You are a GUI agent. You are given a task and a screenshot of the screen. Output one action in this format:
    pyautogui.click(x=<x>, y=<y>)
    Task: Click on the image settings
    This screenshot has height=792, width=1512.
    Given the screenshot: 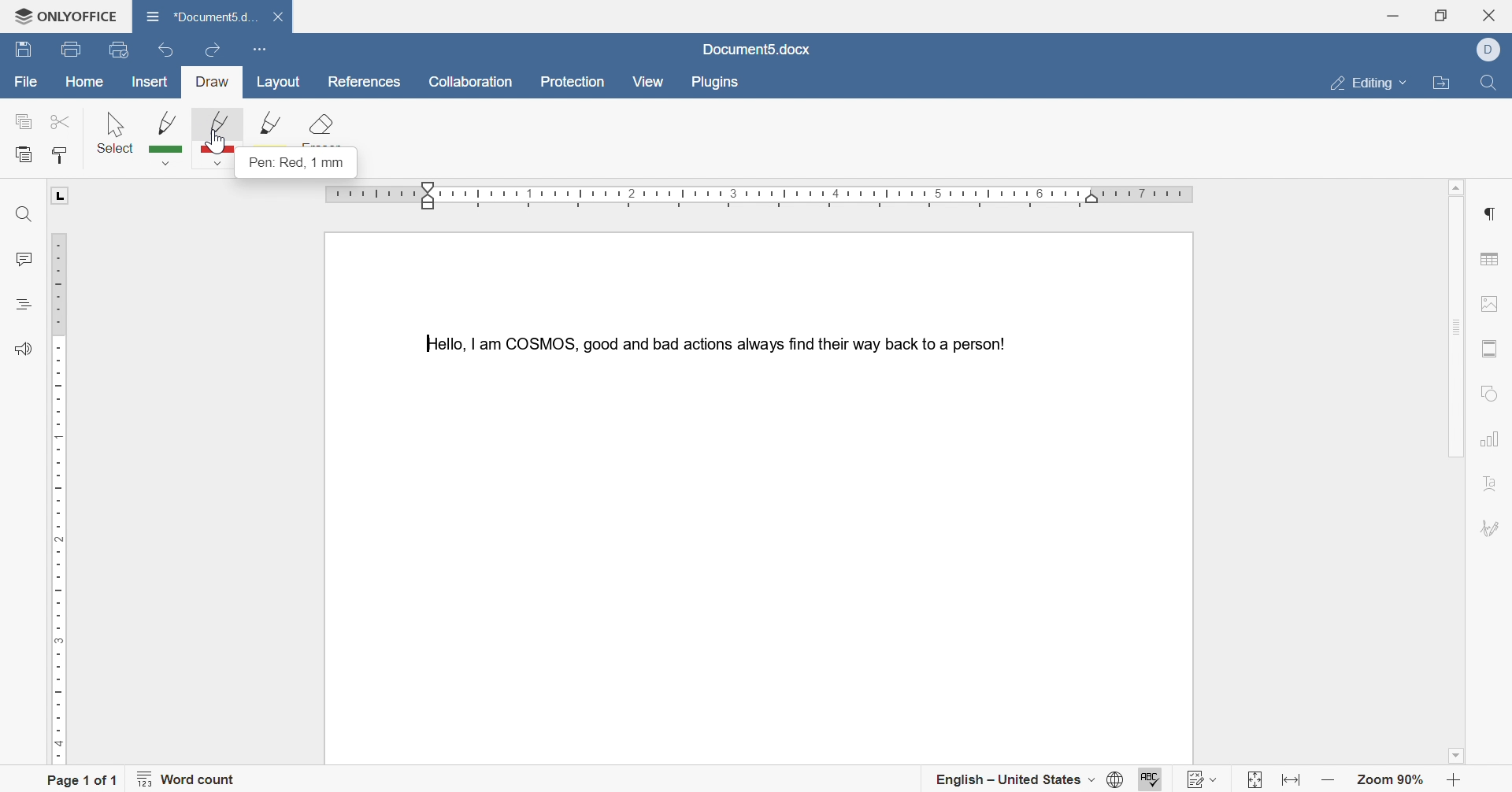 What is the action you would take?
    pyautogui.click(x=1497, y=302)
    